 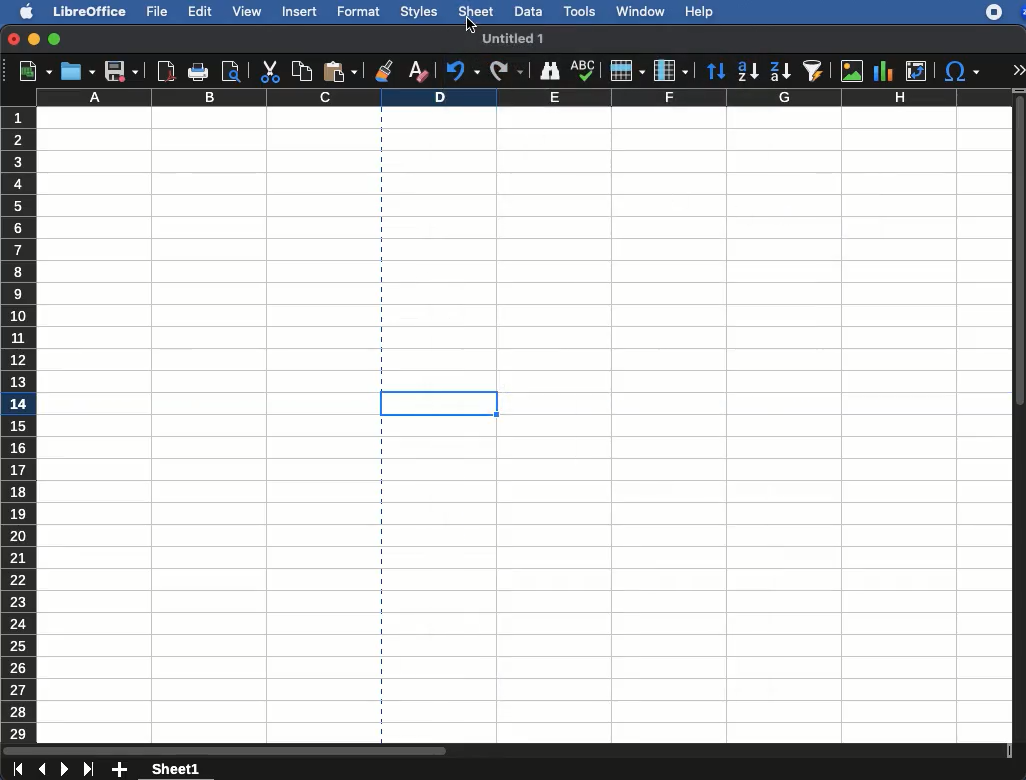 I want to click on print preview, so click(x=230, y=71).